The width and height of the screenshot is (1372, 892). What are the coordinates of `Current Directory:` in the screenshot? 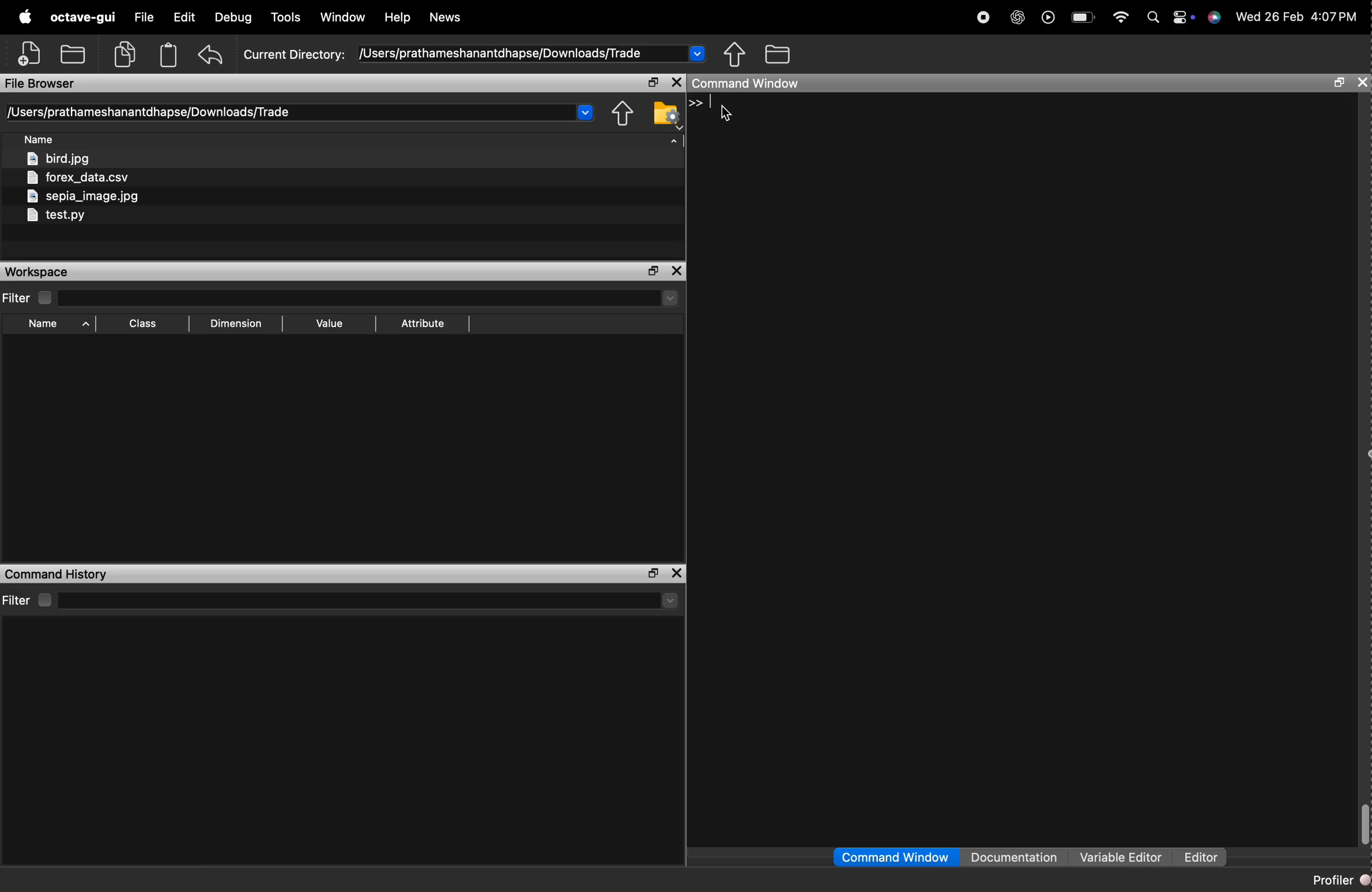 It's located at (293, 55).